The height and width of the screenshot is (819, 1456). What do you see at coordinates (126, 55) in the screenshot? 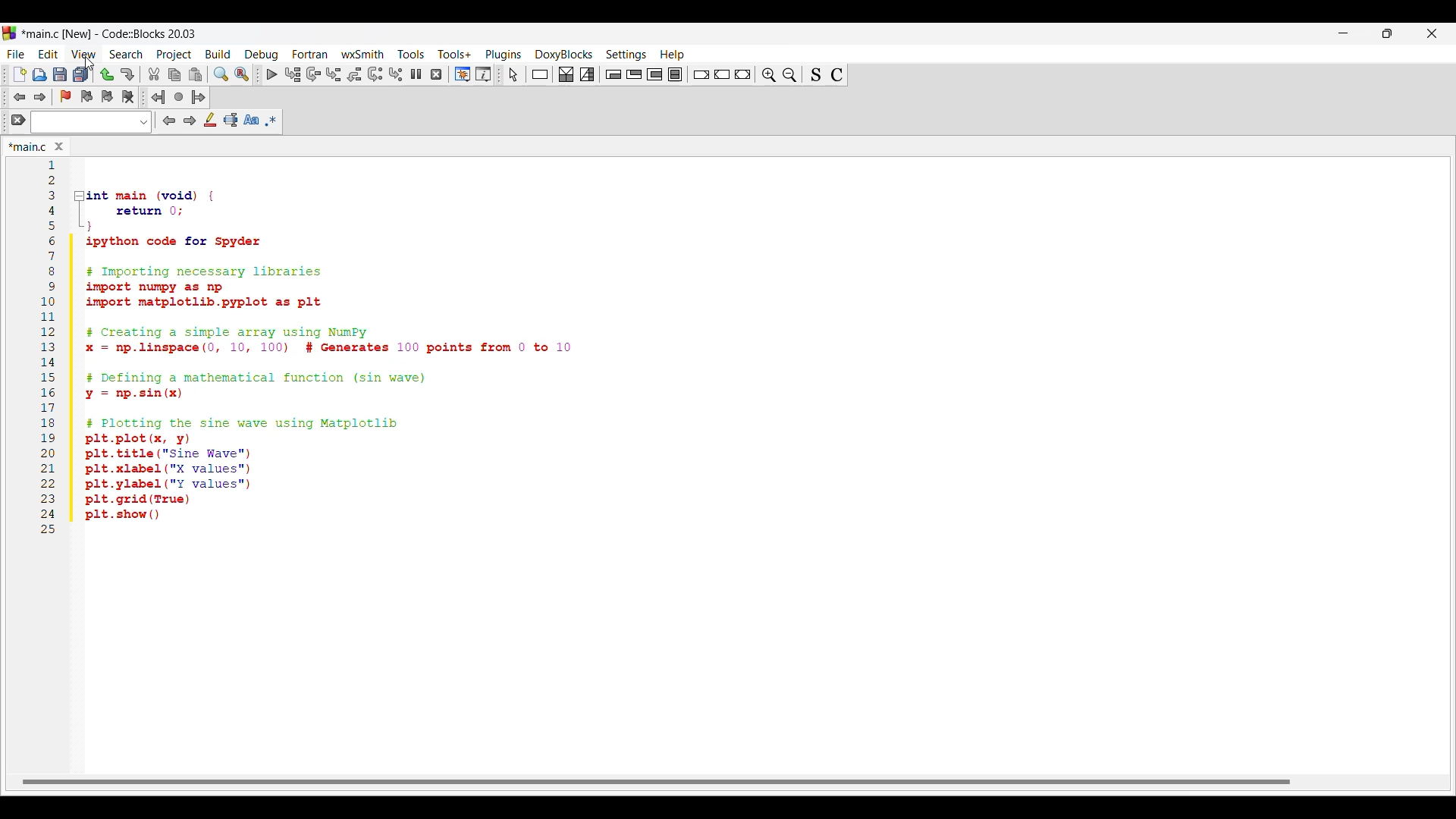
I see `Search menu` at bounding box center [126, 55].